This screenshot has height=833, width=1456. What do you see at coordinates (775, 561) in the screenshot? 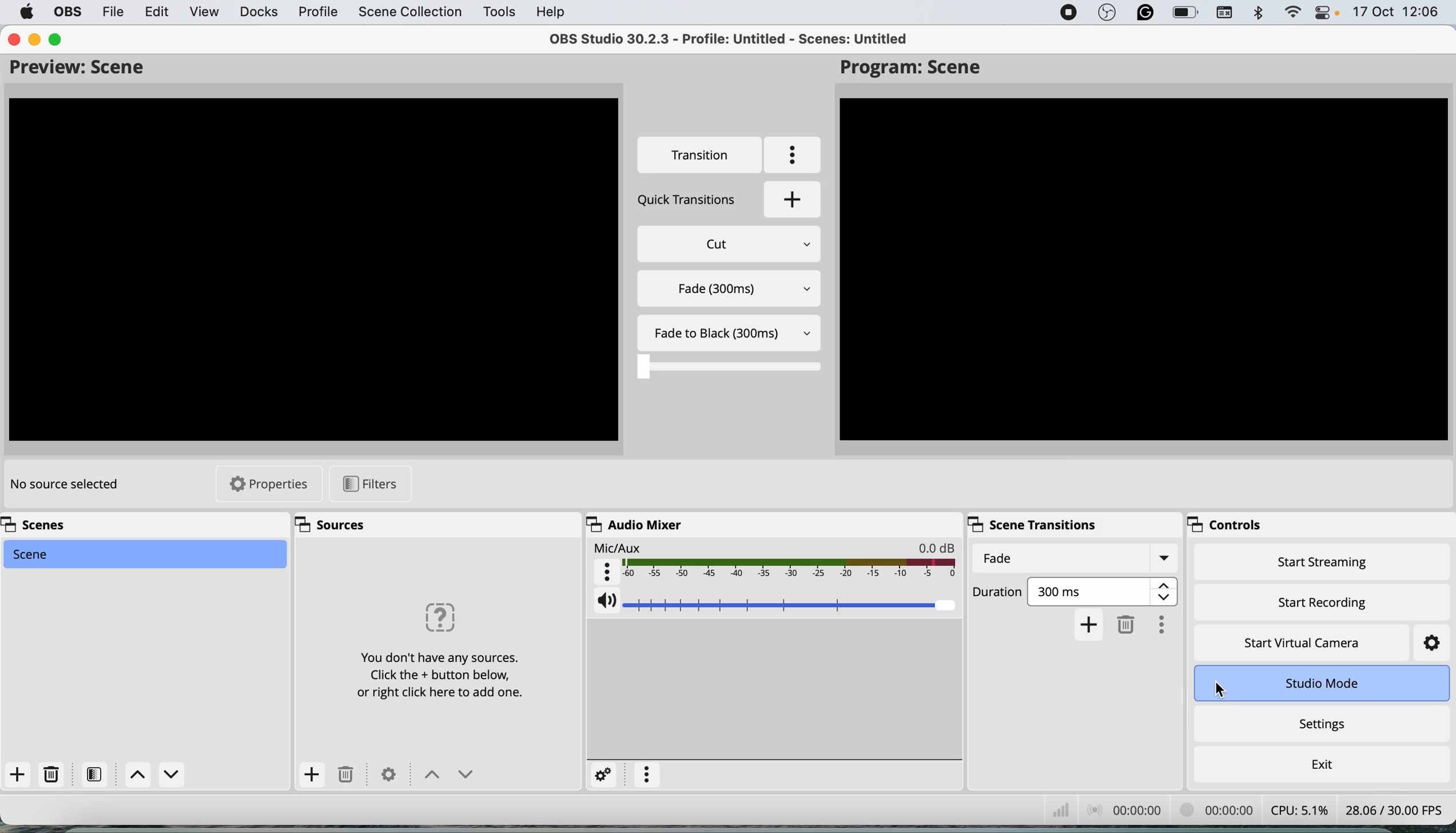
I see `mic aux audio` at bounding box center [775, 561].